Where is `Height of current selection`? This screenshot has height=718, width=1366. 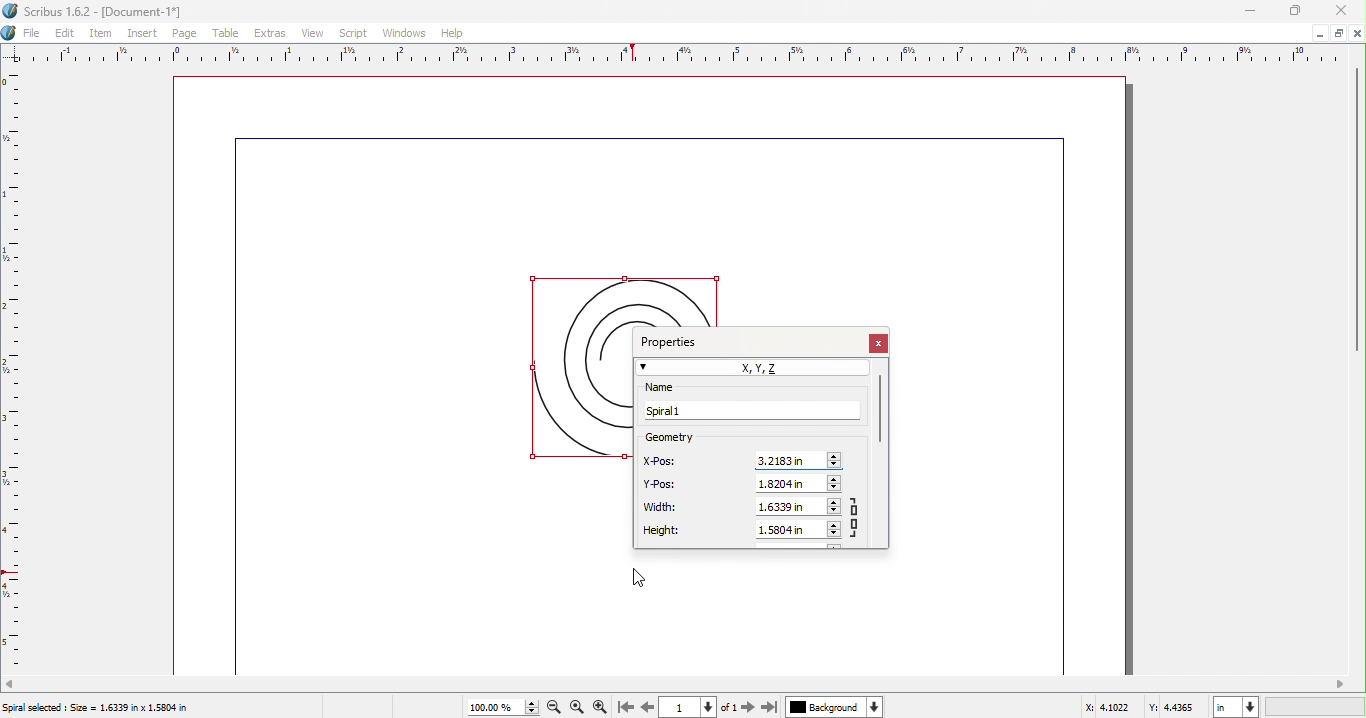
Height of current selection is located at coordinates (790, 530).